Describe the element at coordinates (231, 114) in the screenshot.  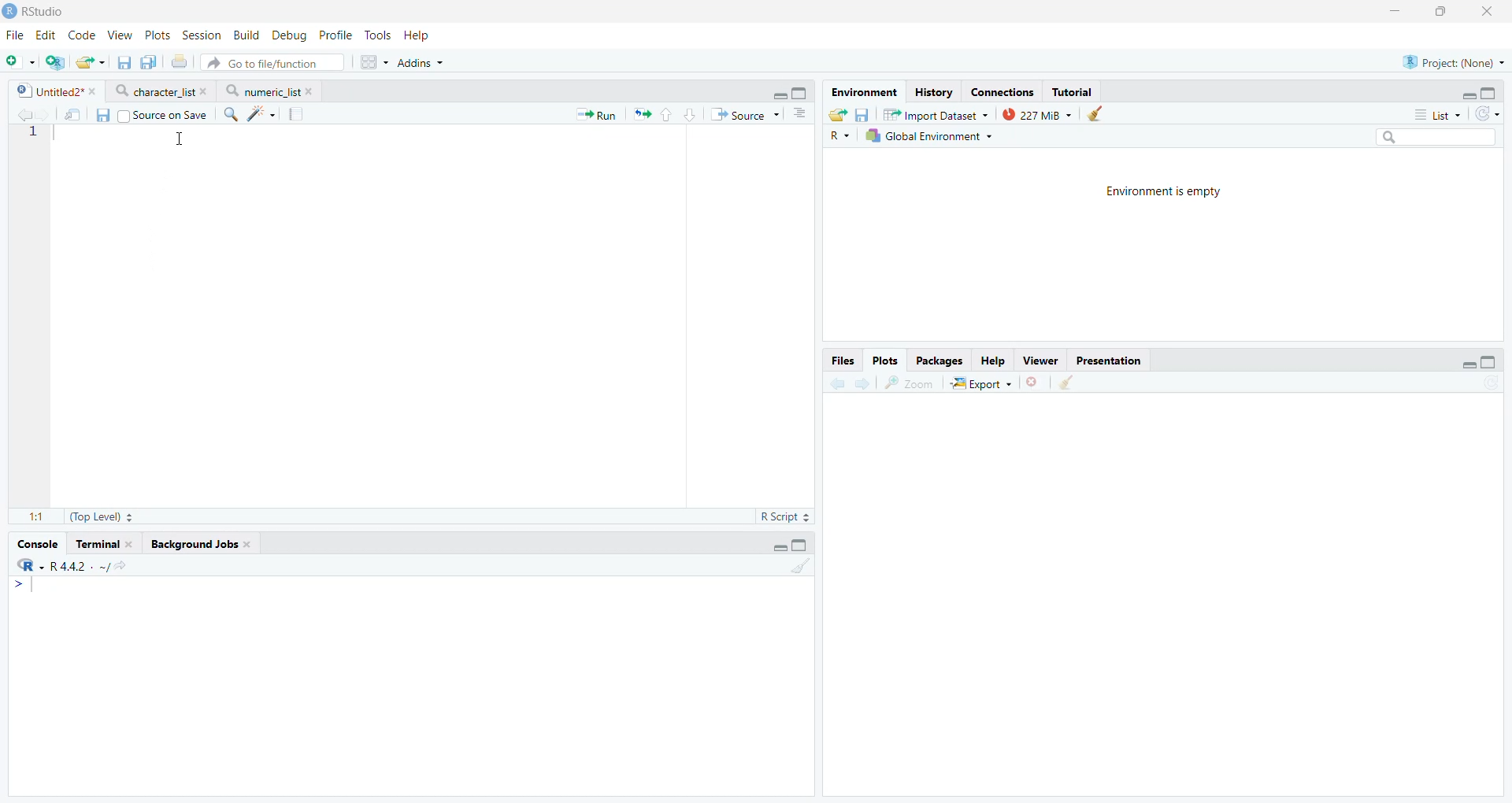
I see `Find/Replace` at that location.